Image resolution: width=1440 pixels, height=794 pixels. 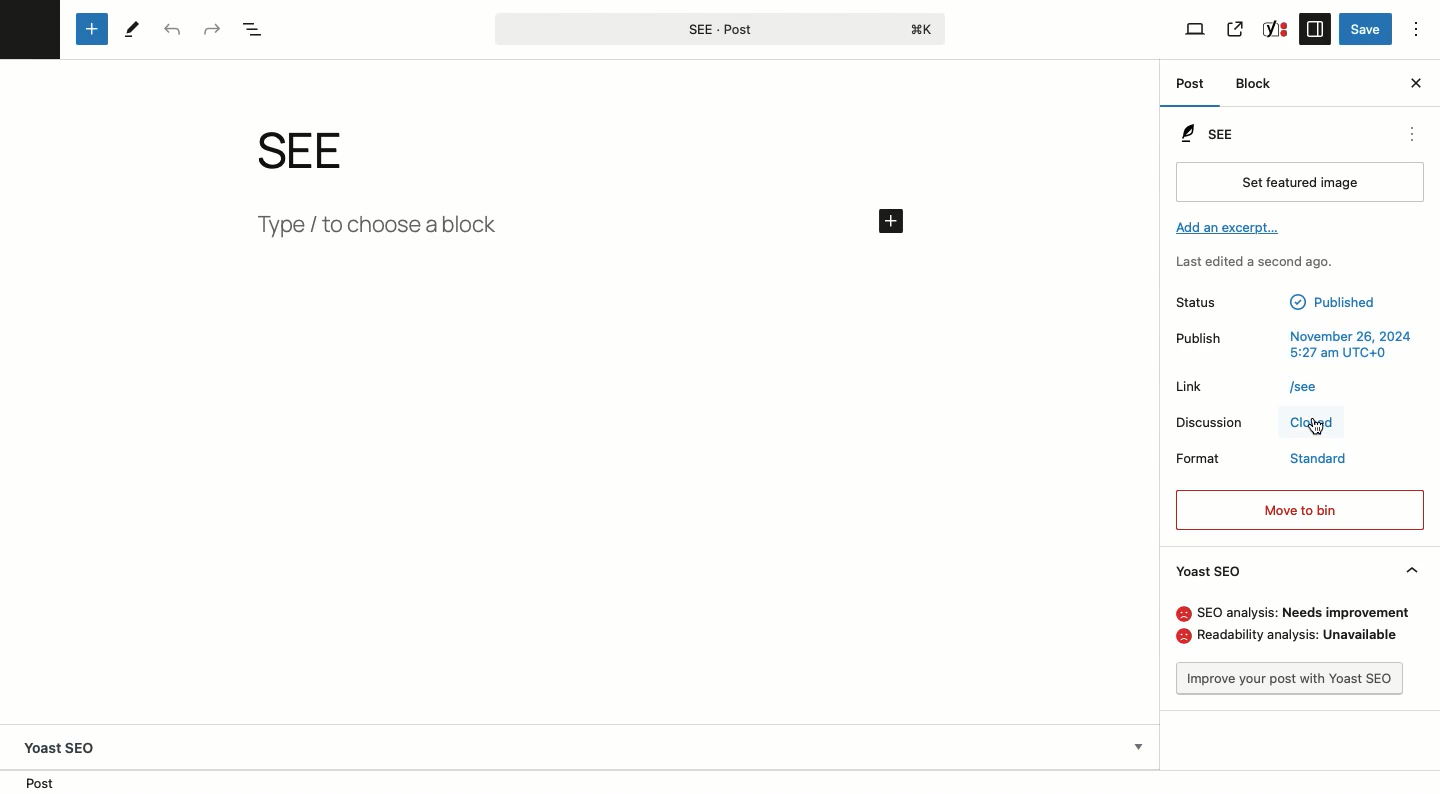 I want to click on SEE, so click(x=1213, y=132).